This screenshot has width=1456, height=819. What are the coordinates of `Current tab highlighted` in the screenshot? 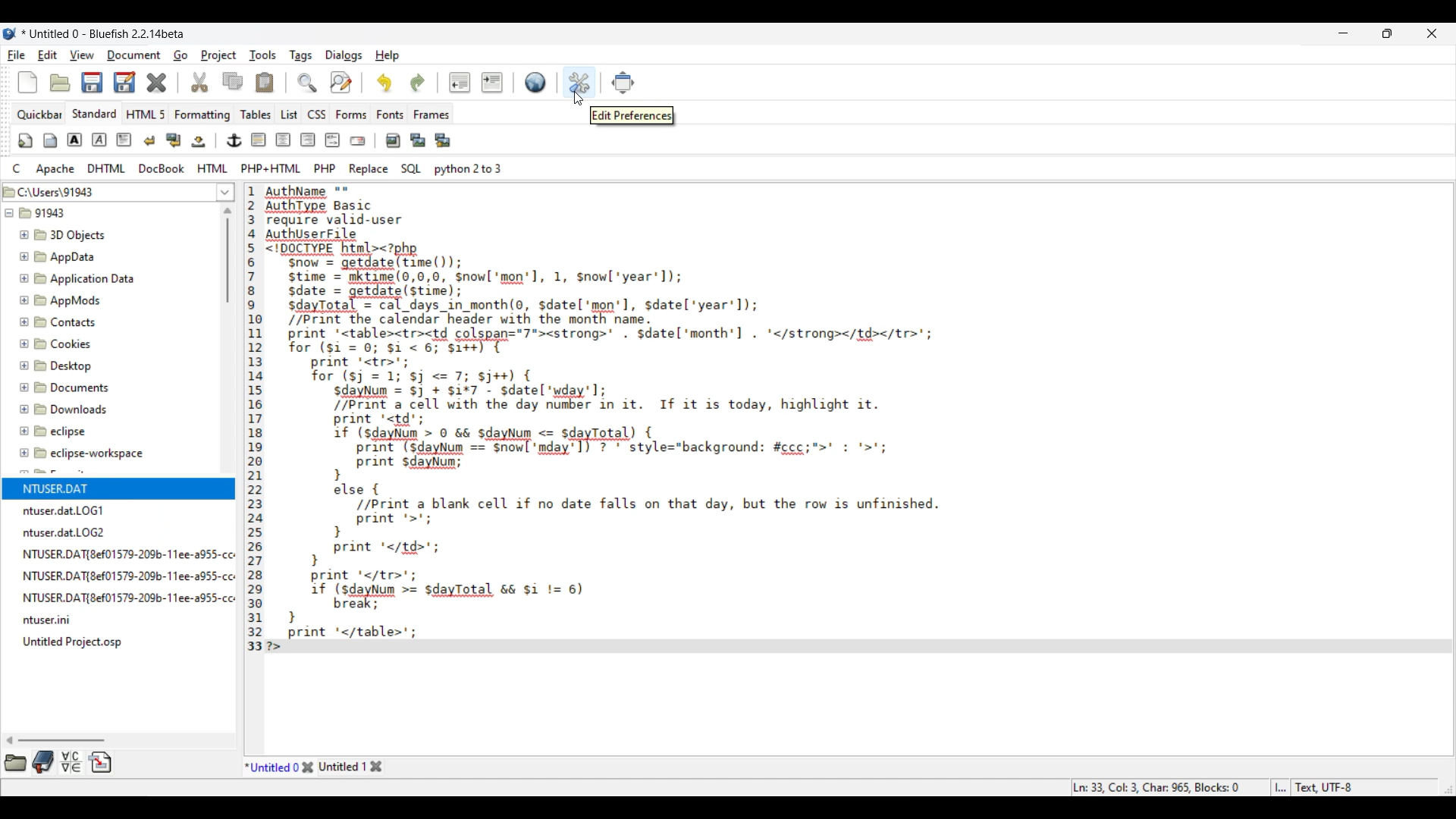 It's located at (272, 766).